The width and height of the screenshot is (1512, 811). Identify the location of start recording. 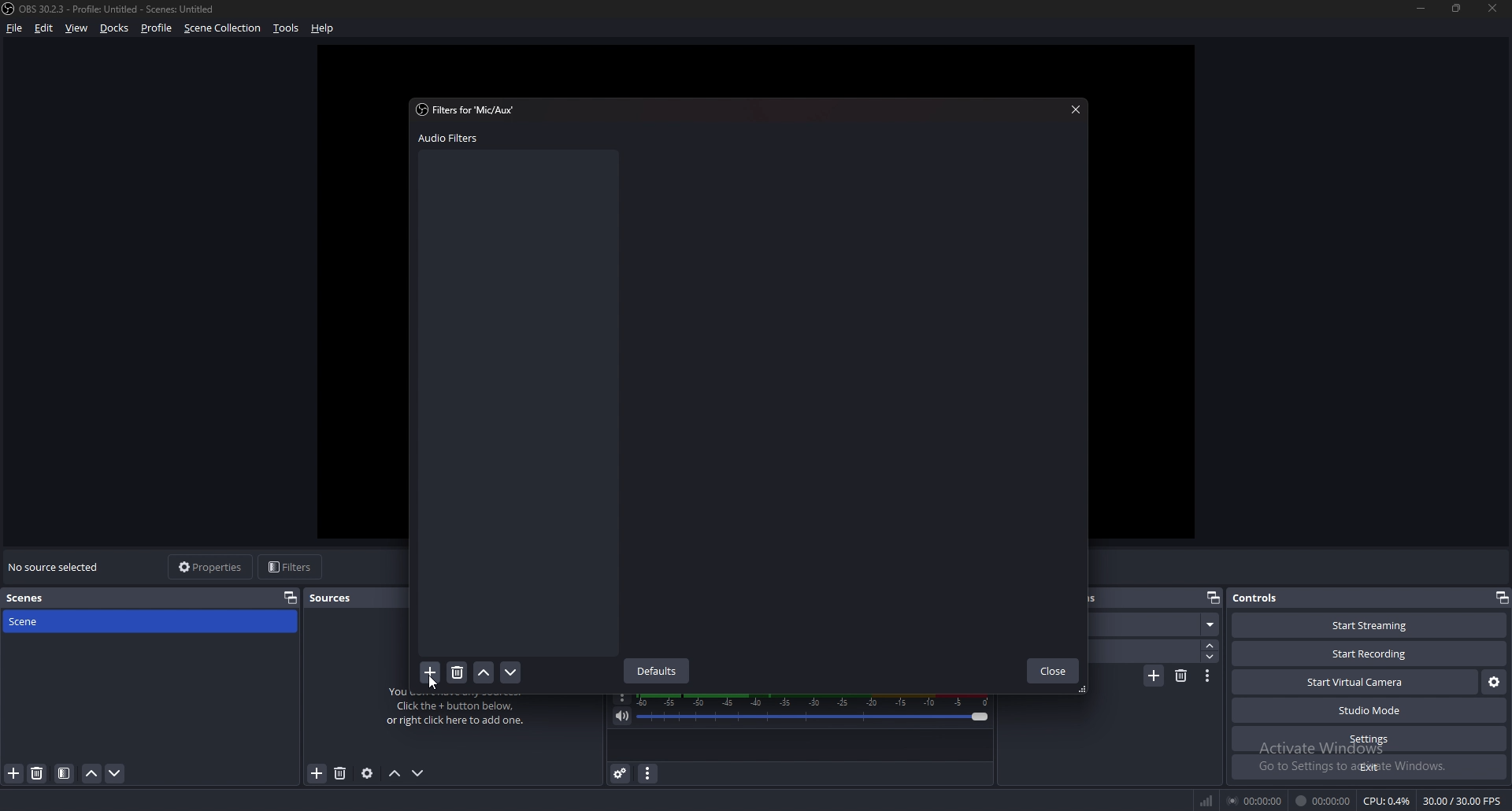
(1369, 654).